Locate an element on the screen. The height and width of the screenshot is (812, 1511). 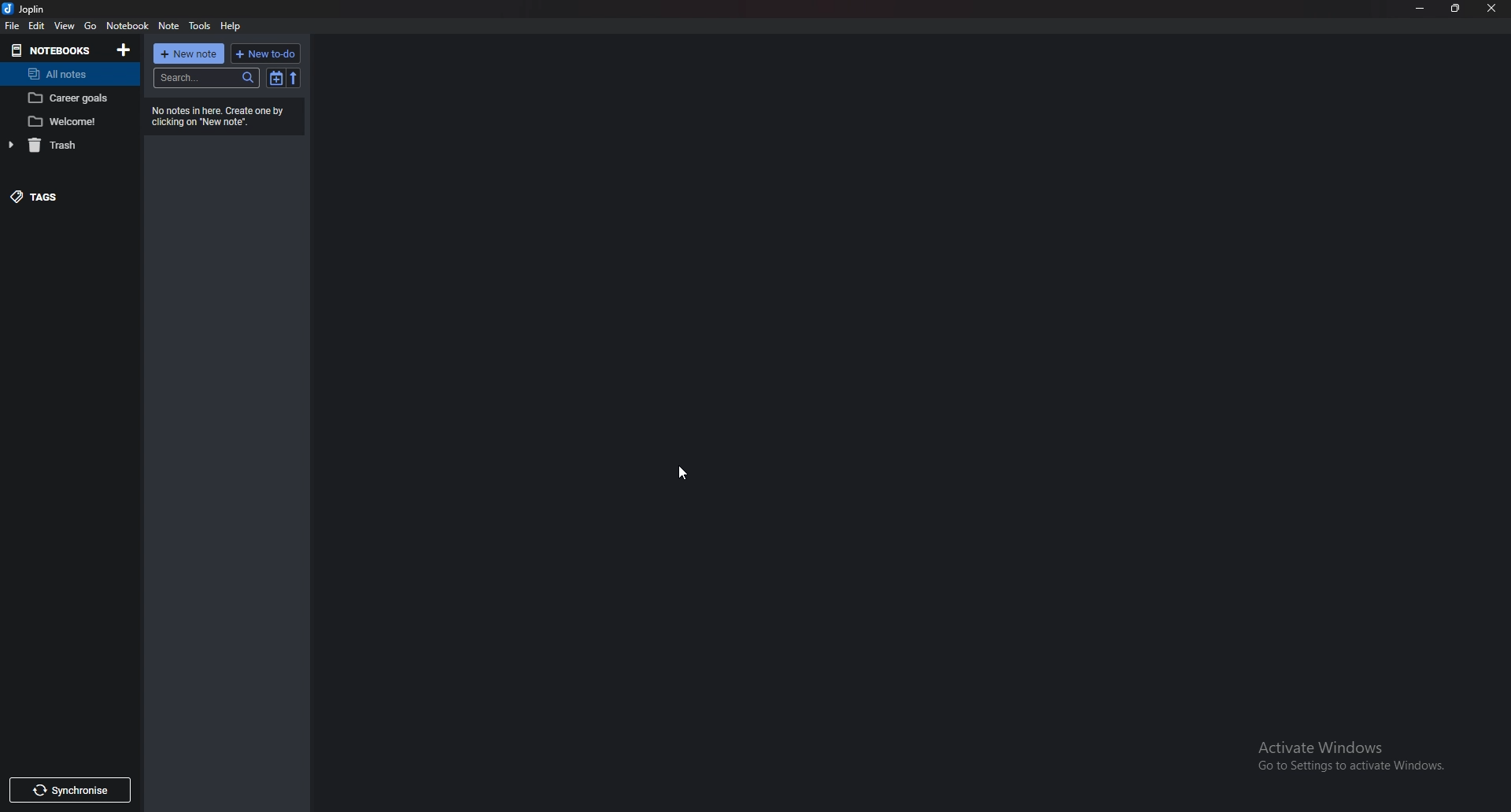
search is located at coordinates (208, 79).